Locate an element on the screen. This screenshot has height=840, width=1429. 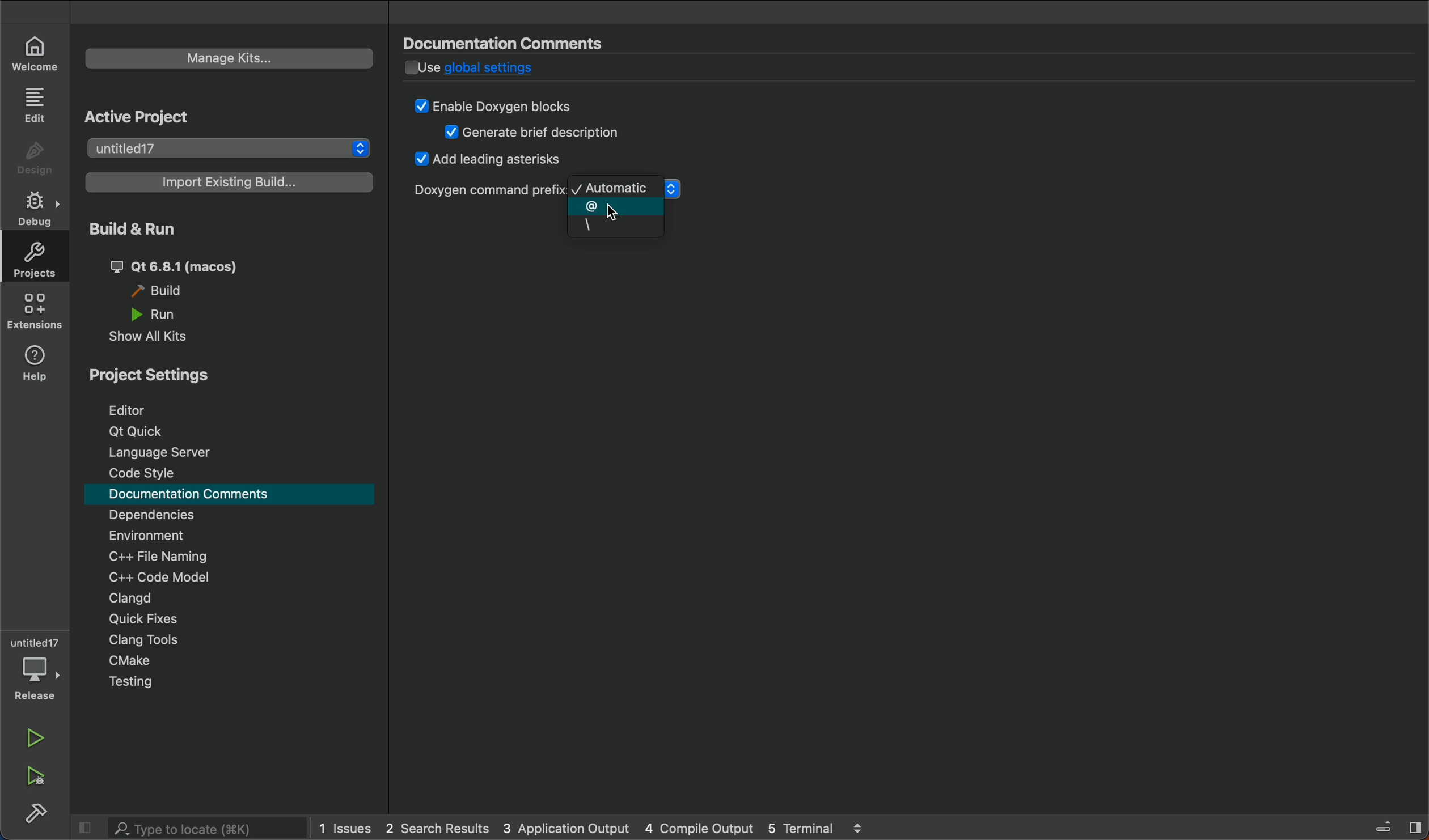
environment is located at coordinates (147, 534).